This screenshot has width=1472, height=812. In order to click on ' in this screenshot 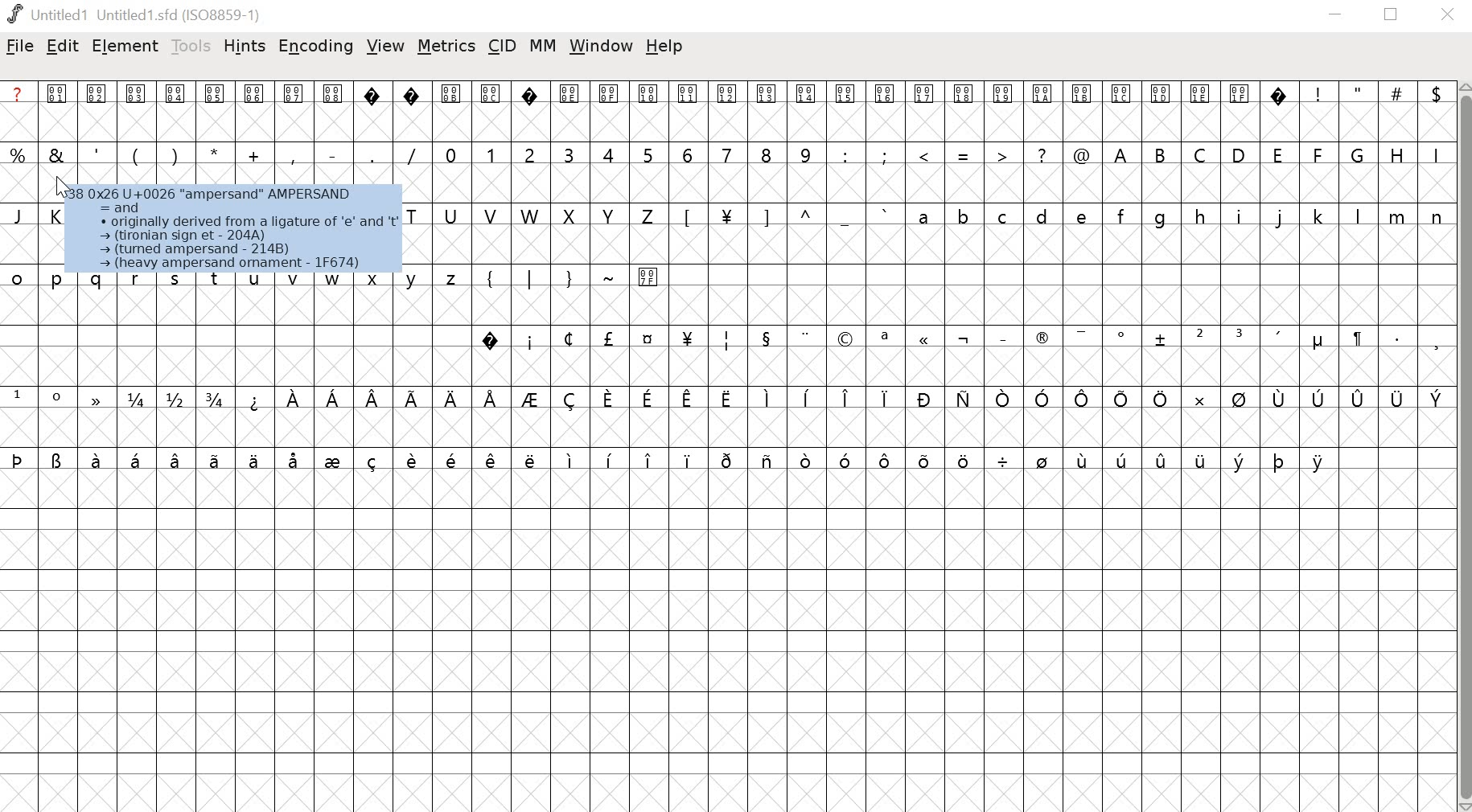, I will do `click(1281, 338)`.